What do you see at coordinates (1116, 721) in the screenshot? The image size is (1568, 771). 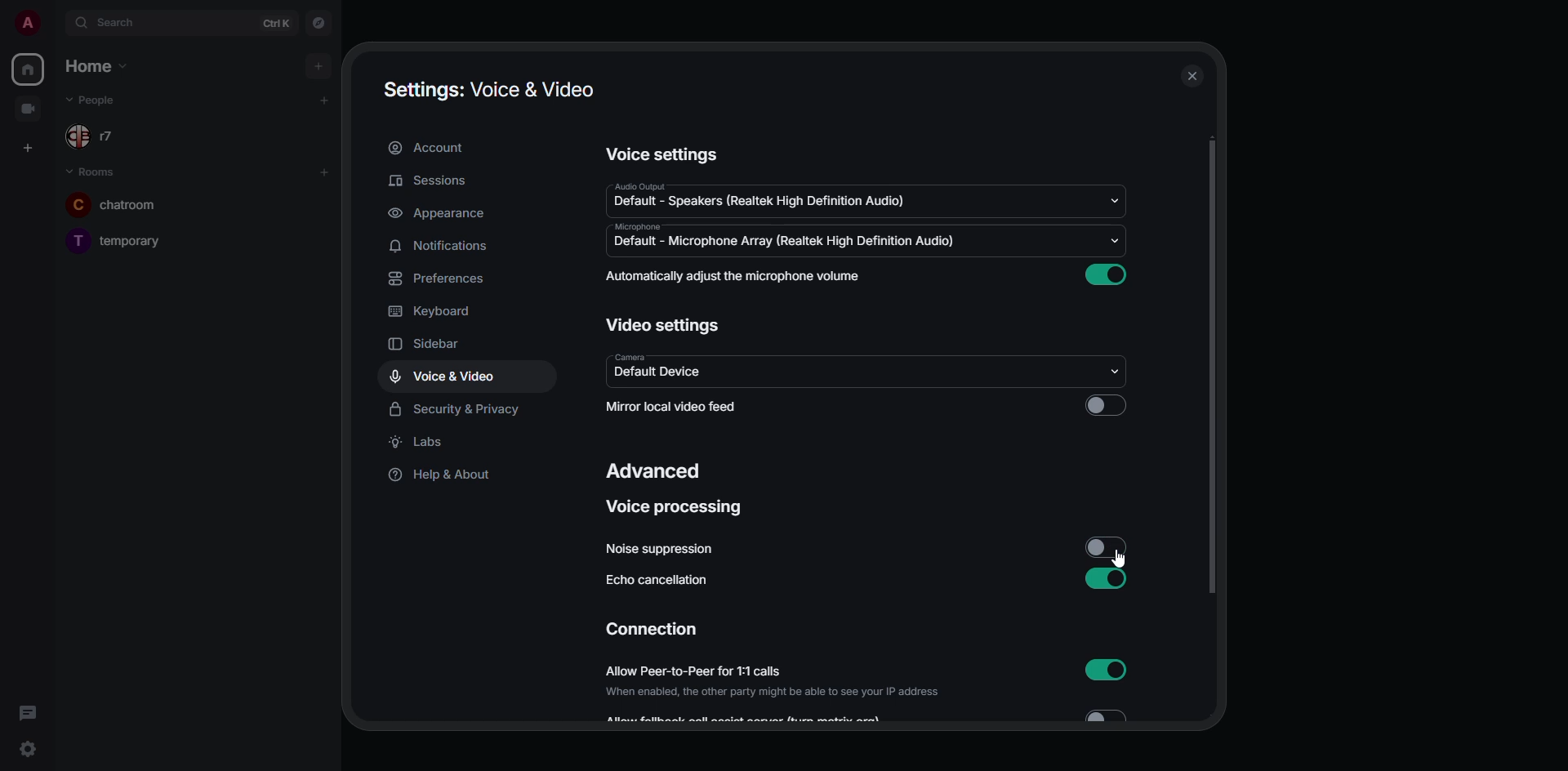 I see `toggle` at bounding box center [1116, 721].